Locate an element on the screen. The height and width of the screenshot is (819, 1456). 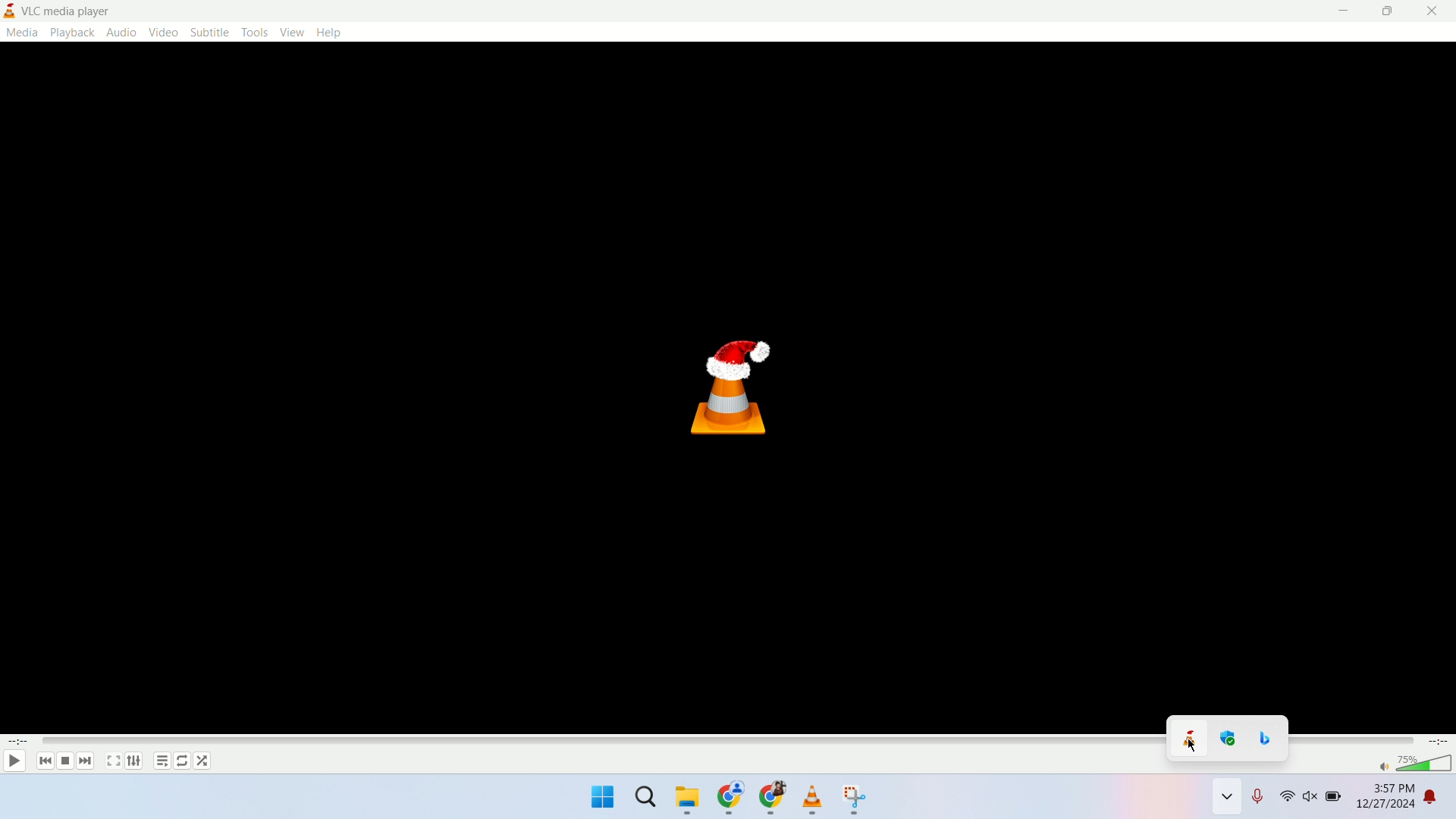
subtitle is located at coordinates (209, 32).